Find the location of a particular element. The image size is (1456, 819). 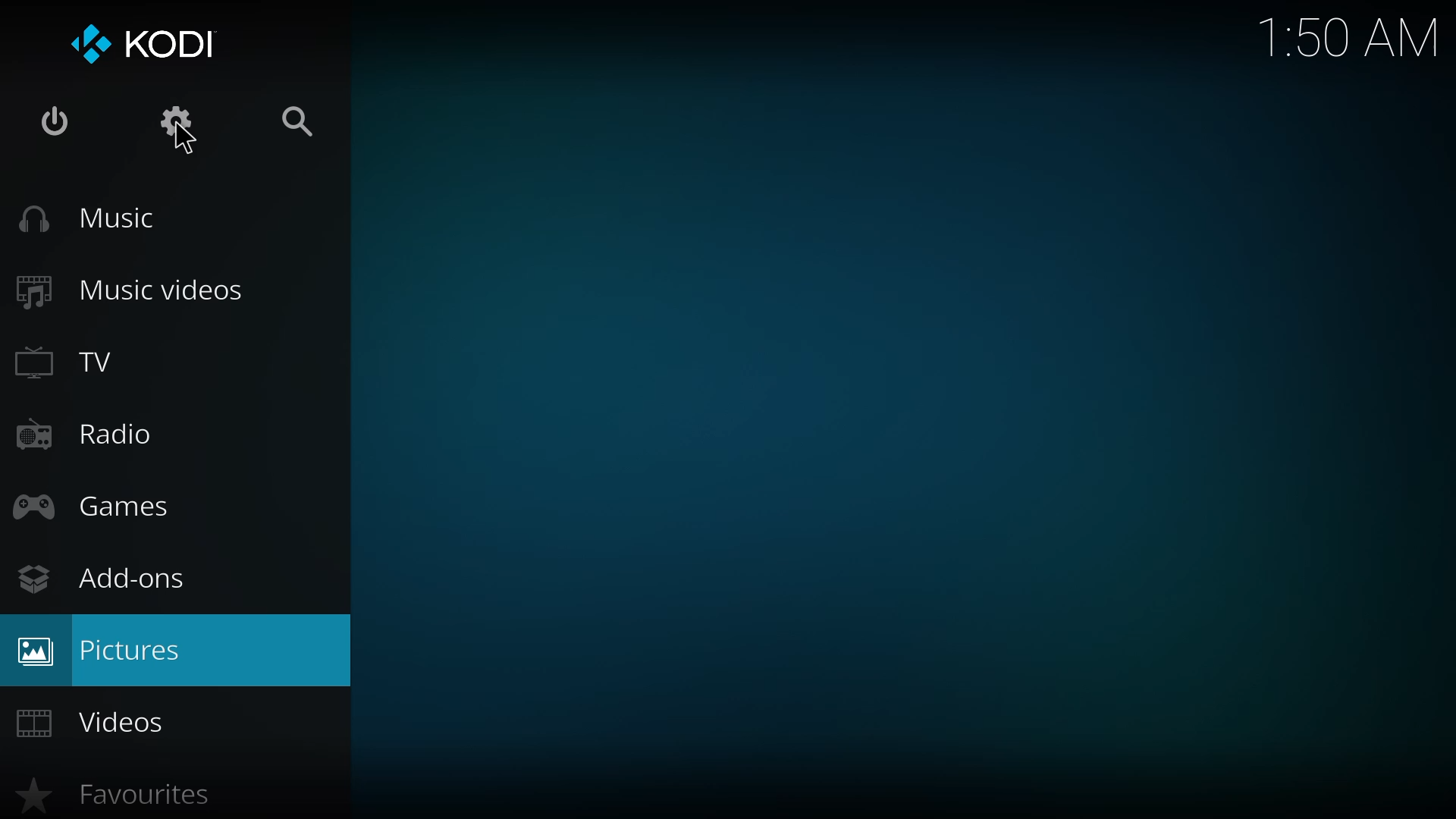

radio is located at coordinates (88, 434).